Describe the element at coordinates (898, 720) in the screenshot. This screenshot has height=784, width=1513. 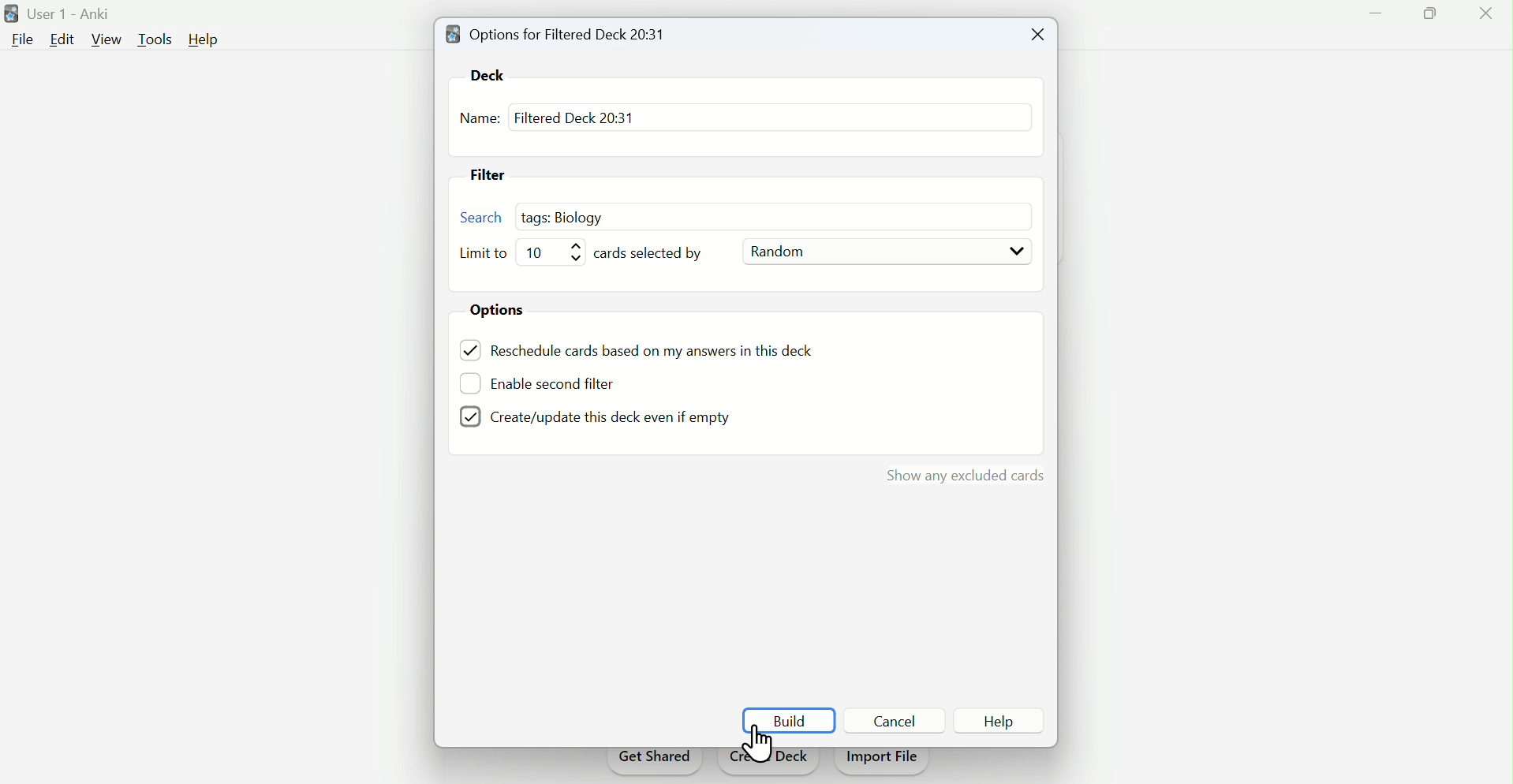
I see `` at that location.